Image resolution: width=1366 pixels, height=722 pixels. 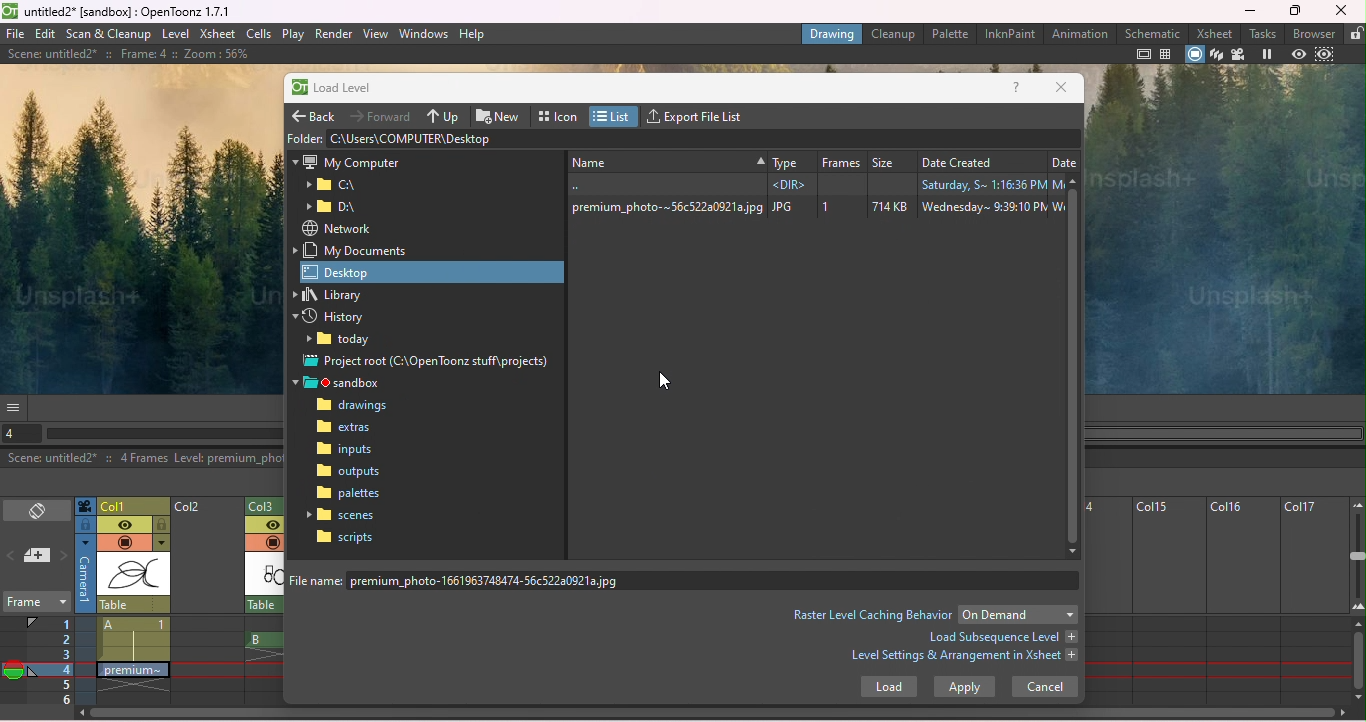 I want to click on camera stand visibility toggle, so click(x=272, y=542).